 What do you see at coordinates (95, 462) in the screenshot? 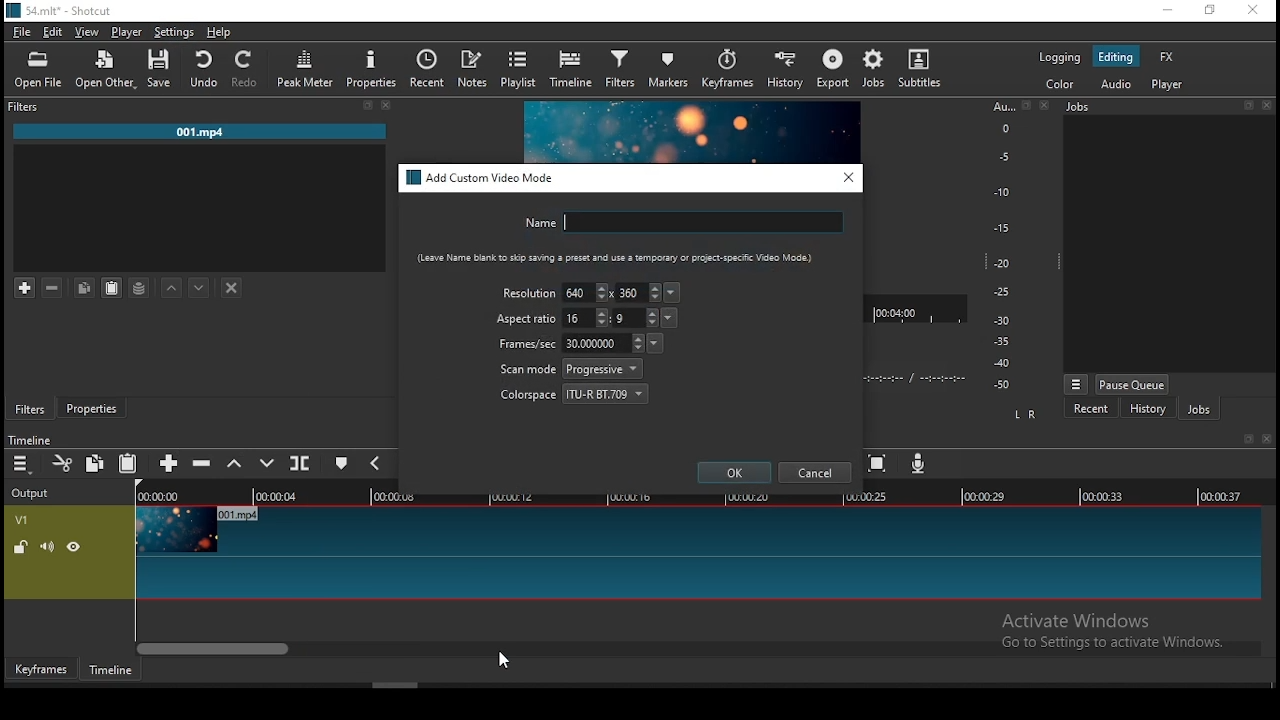
I see `copy` at bounding box center [95, 462].